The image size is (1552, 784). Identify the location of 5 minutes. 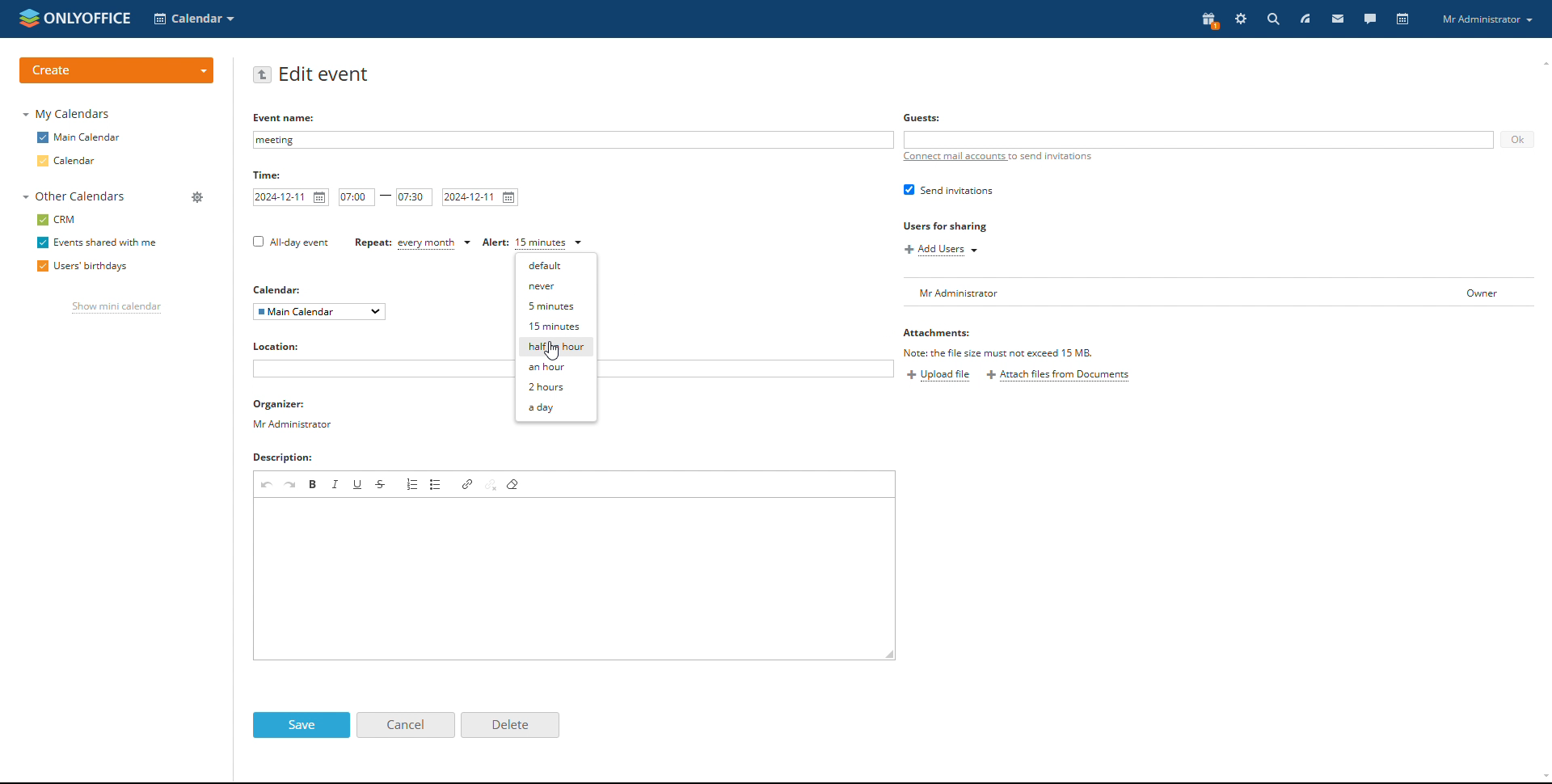
(558, 306).